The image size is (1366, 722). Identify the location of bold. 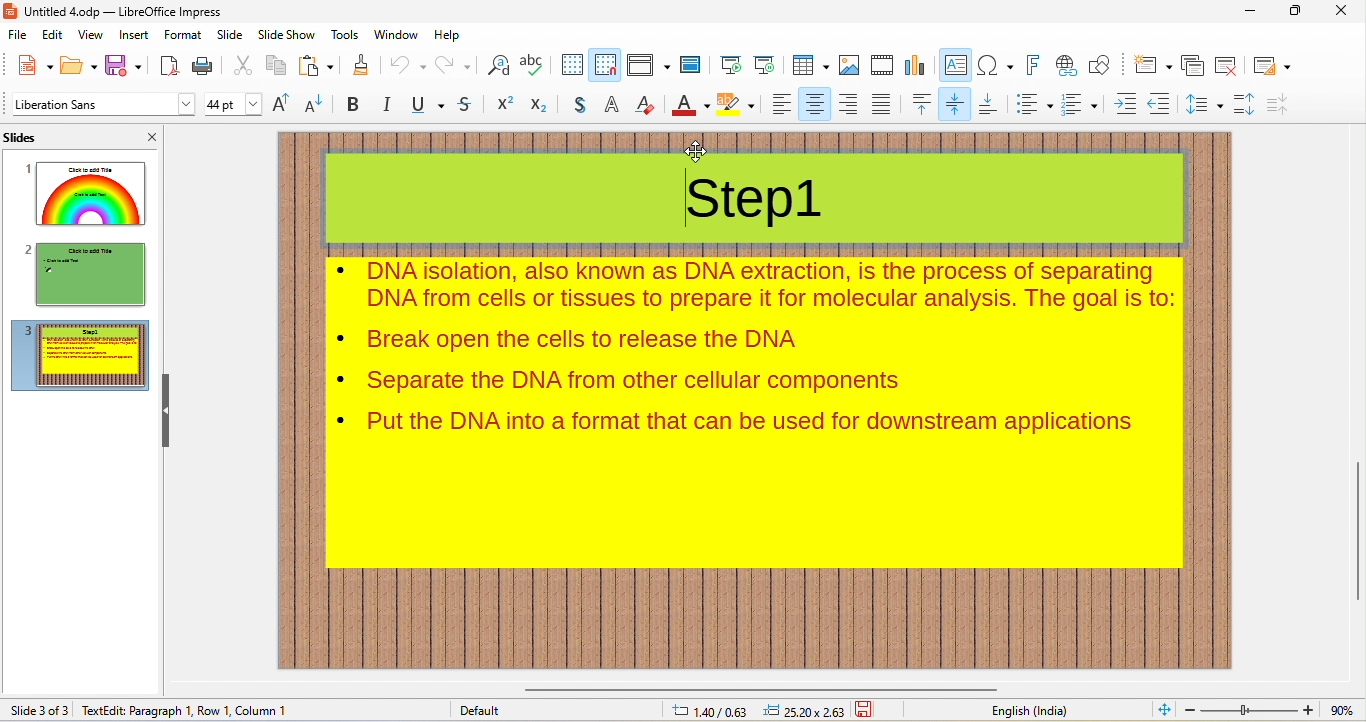
(353, 104).